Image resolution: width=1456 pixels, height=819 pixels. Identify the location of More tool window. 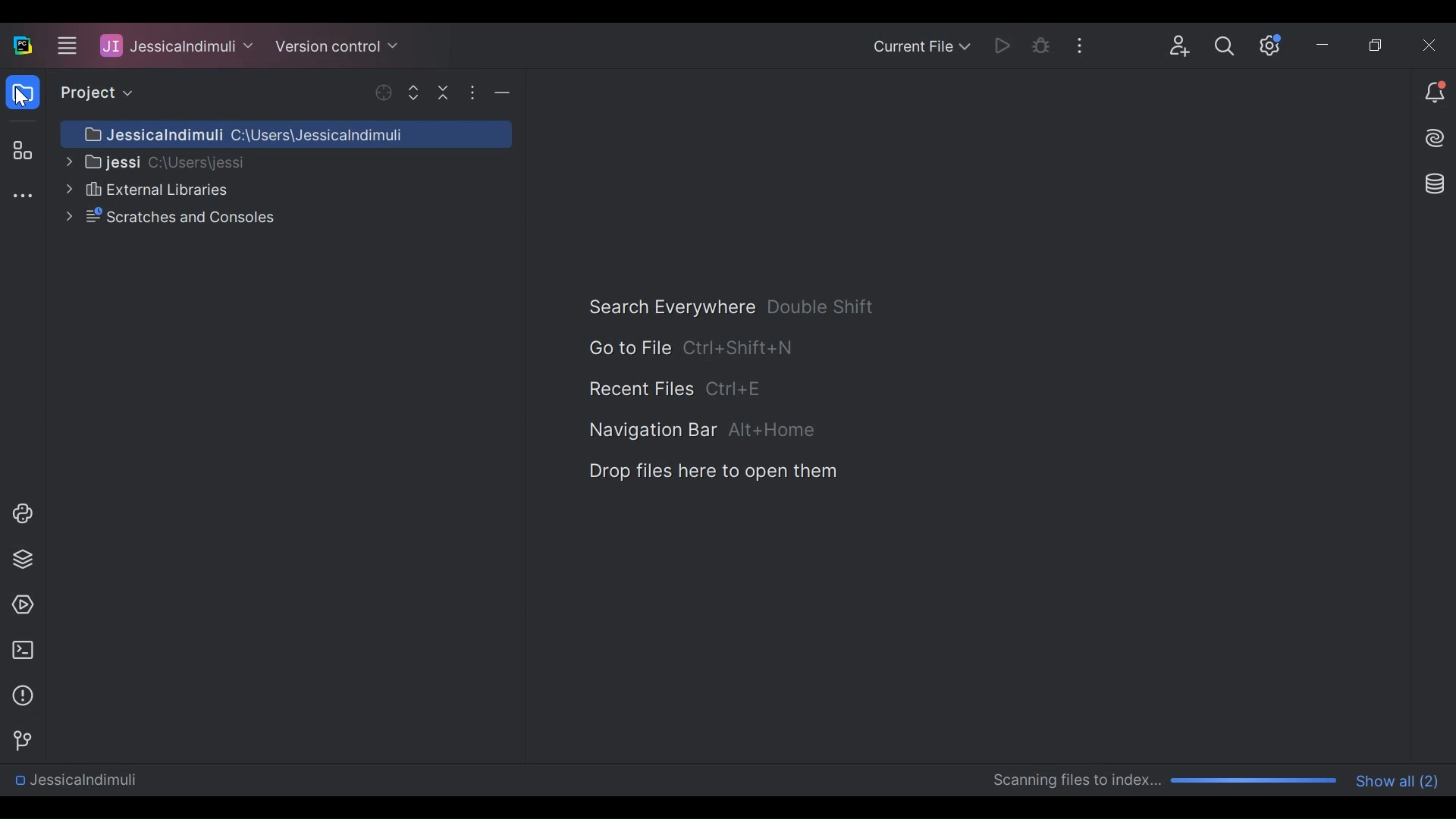
(20, 196).